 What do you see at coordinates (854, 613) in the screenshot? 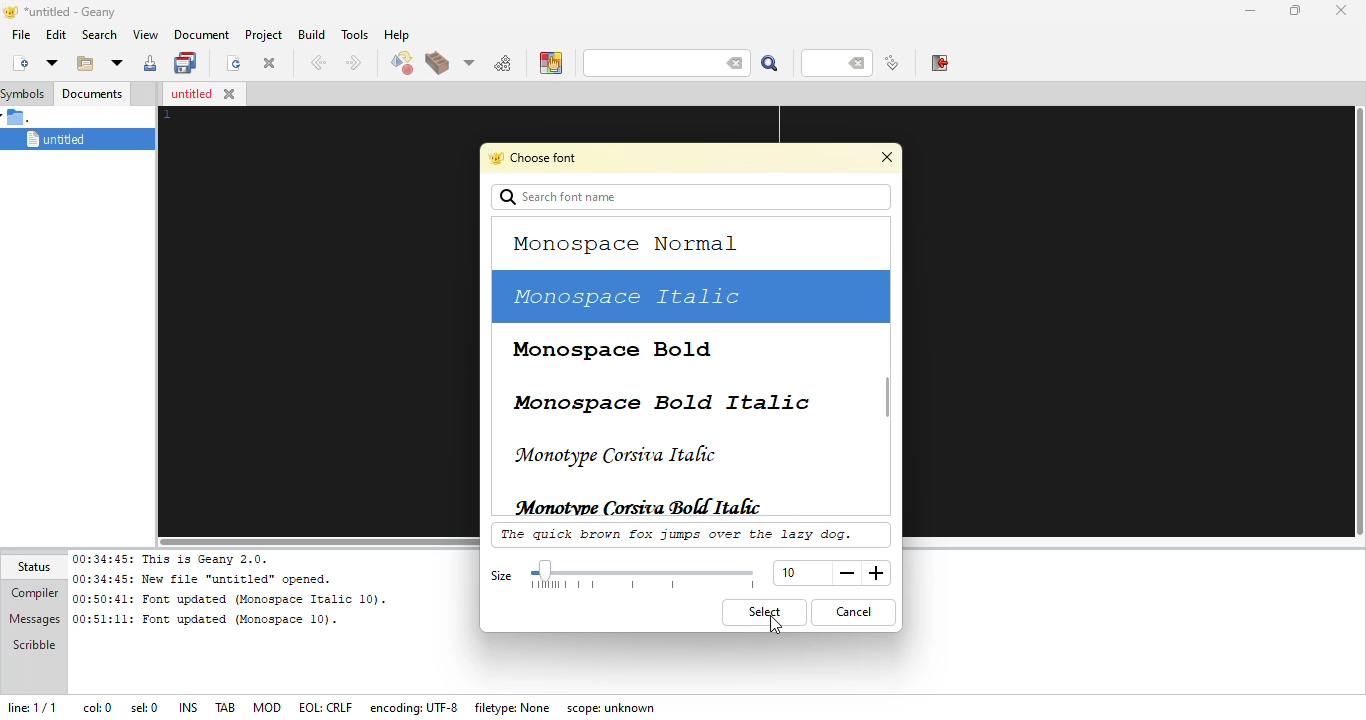
I see `cancel` at bounding box center [854, 613].